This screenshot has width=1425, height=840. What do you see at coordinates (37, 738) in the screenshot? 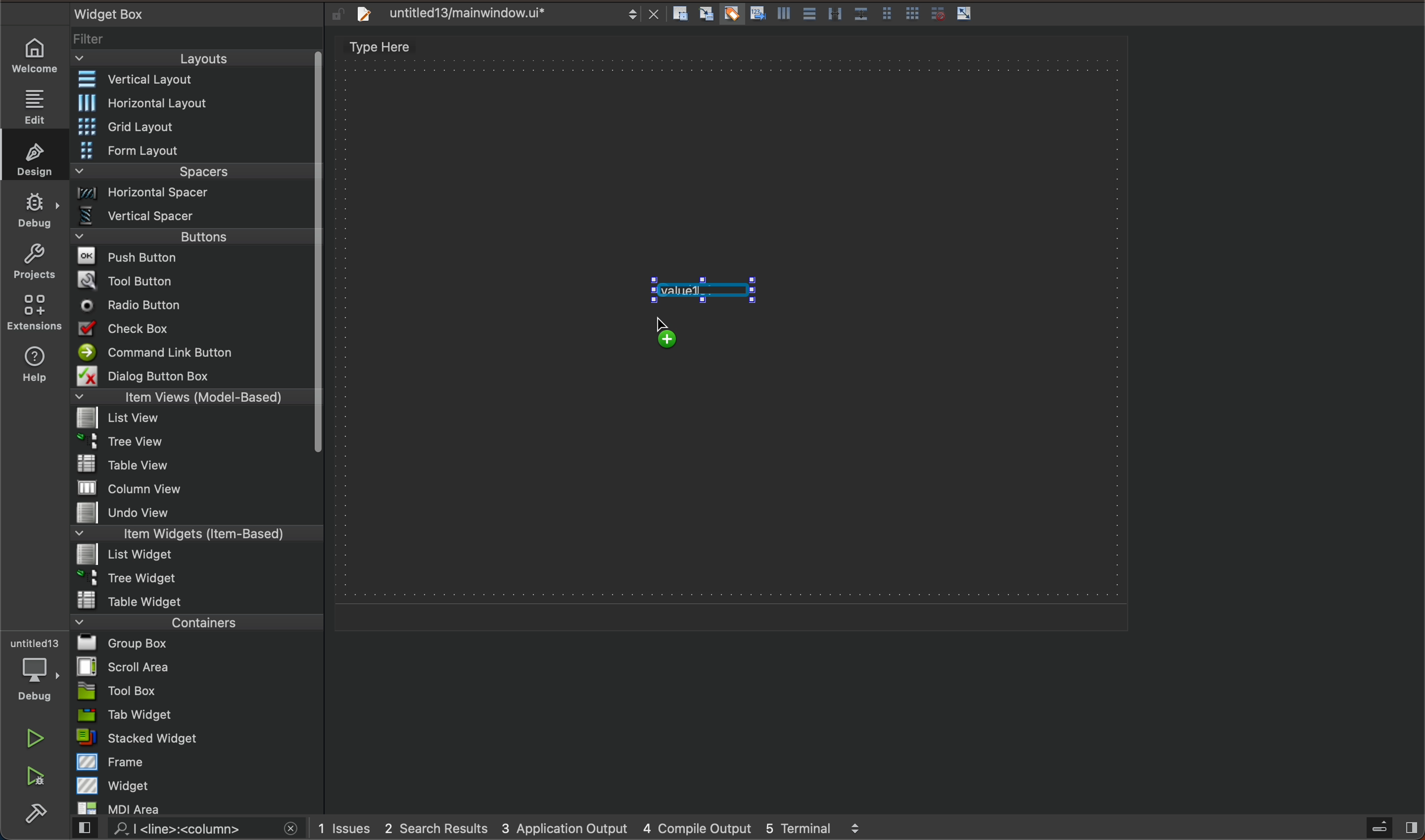
I see `run` at bounding box center [37, 738].